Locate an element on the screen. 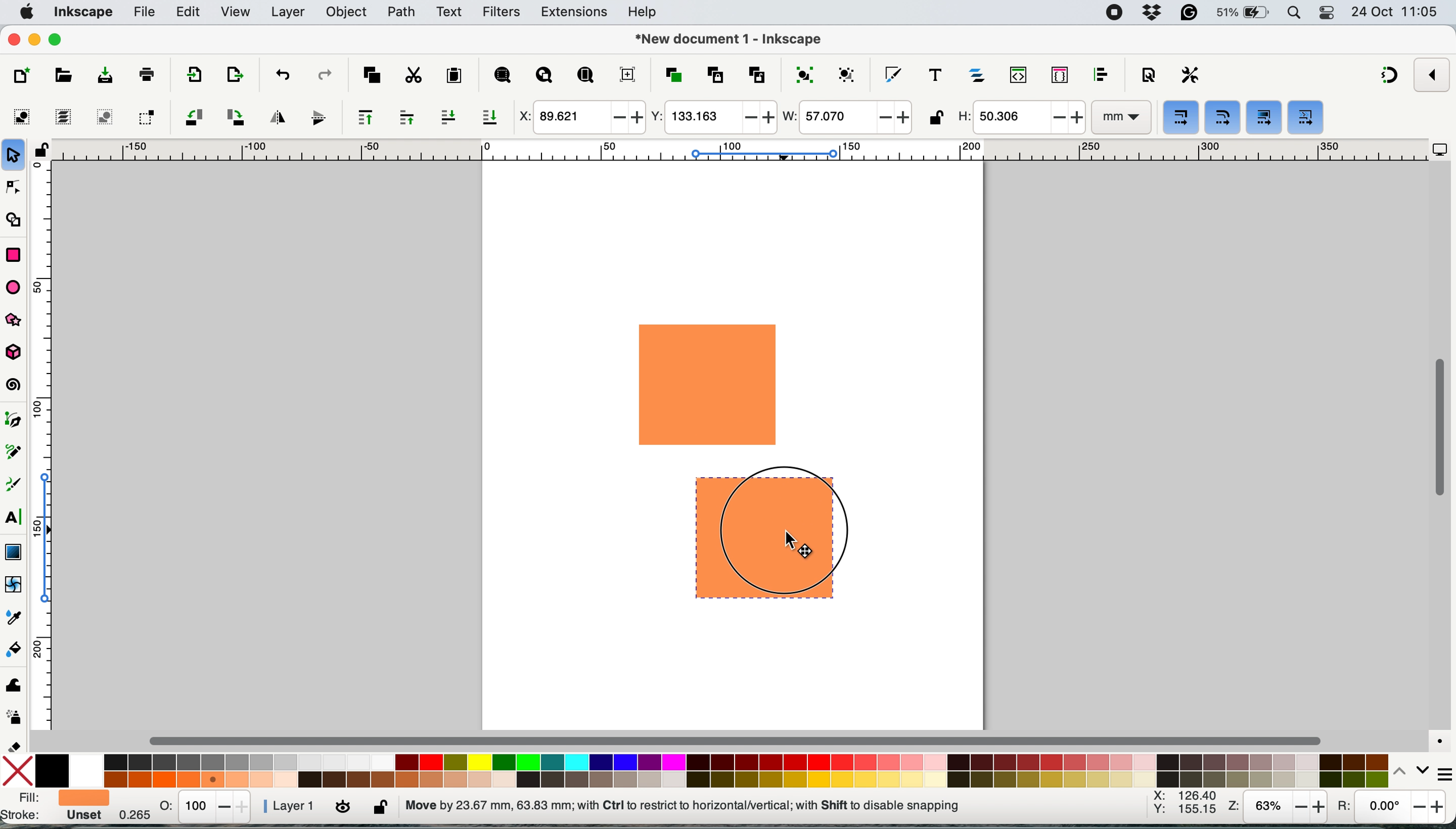  battery is located at coordinates (1244, 13).